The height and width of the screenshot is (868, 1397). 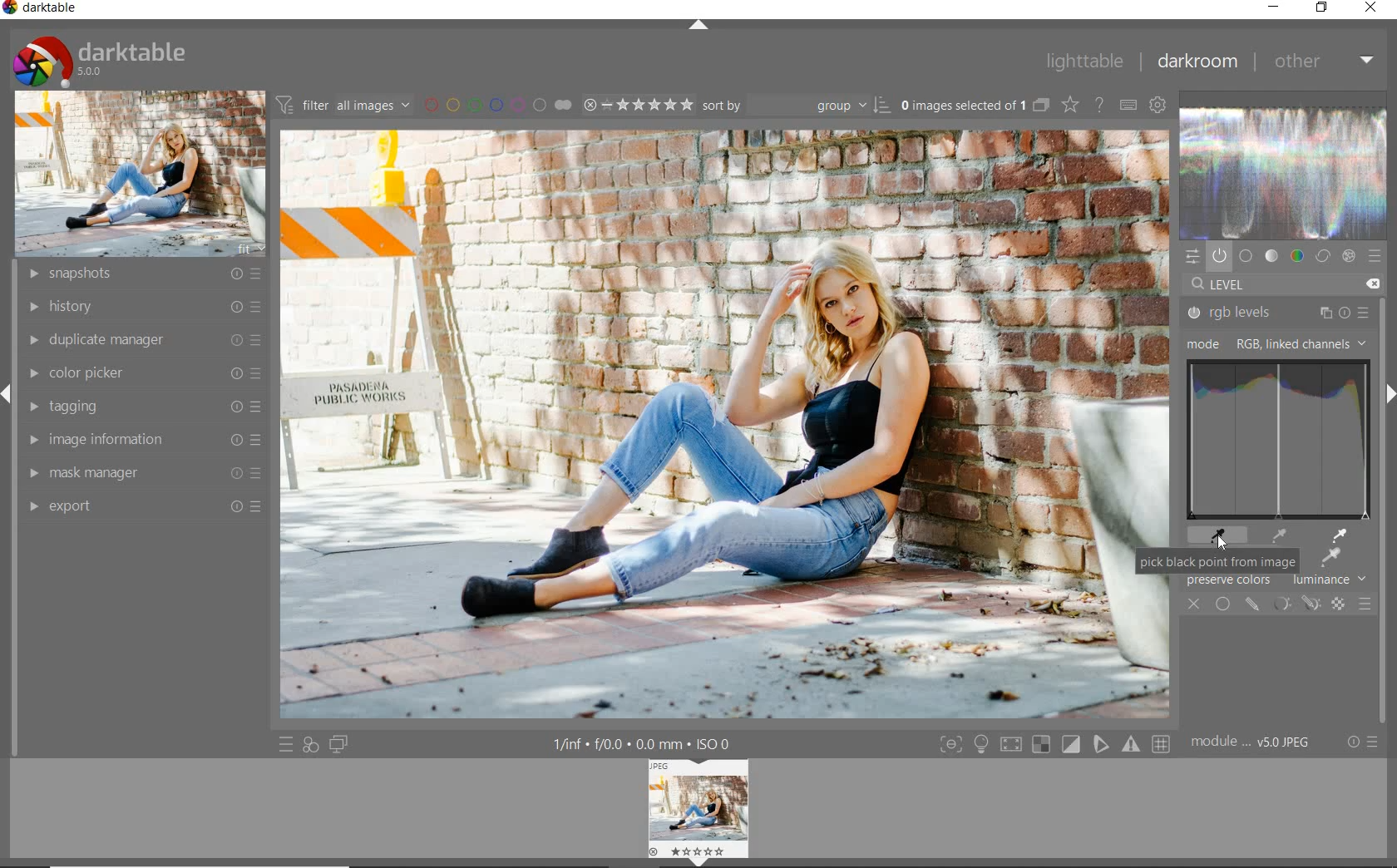 What do you see at coordinates (1194, 602) in the screenshot?
I see `close` at bounding box center [1194, 602].